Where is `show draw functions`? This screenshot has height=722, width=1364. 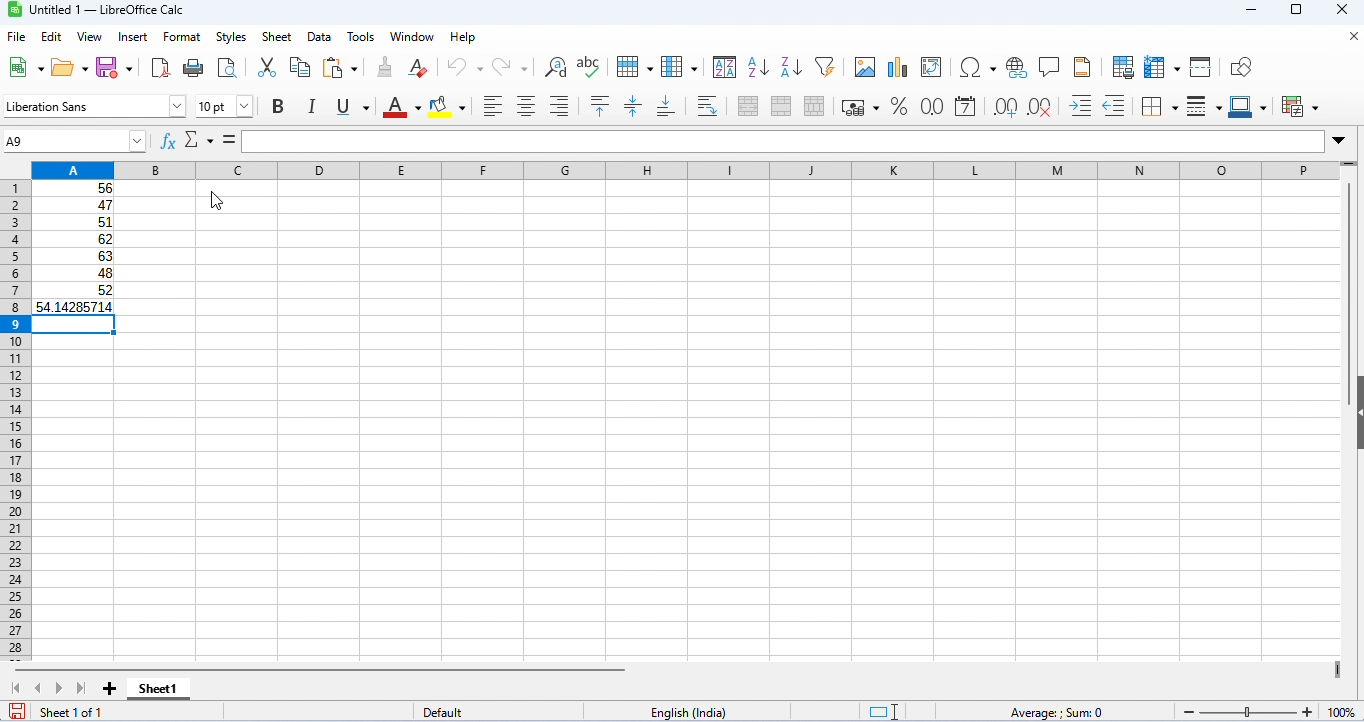 show draw functions is located at coordinates (1242, 68).